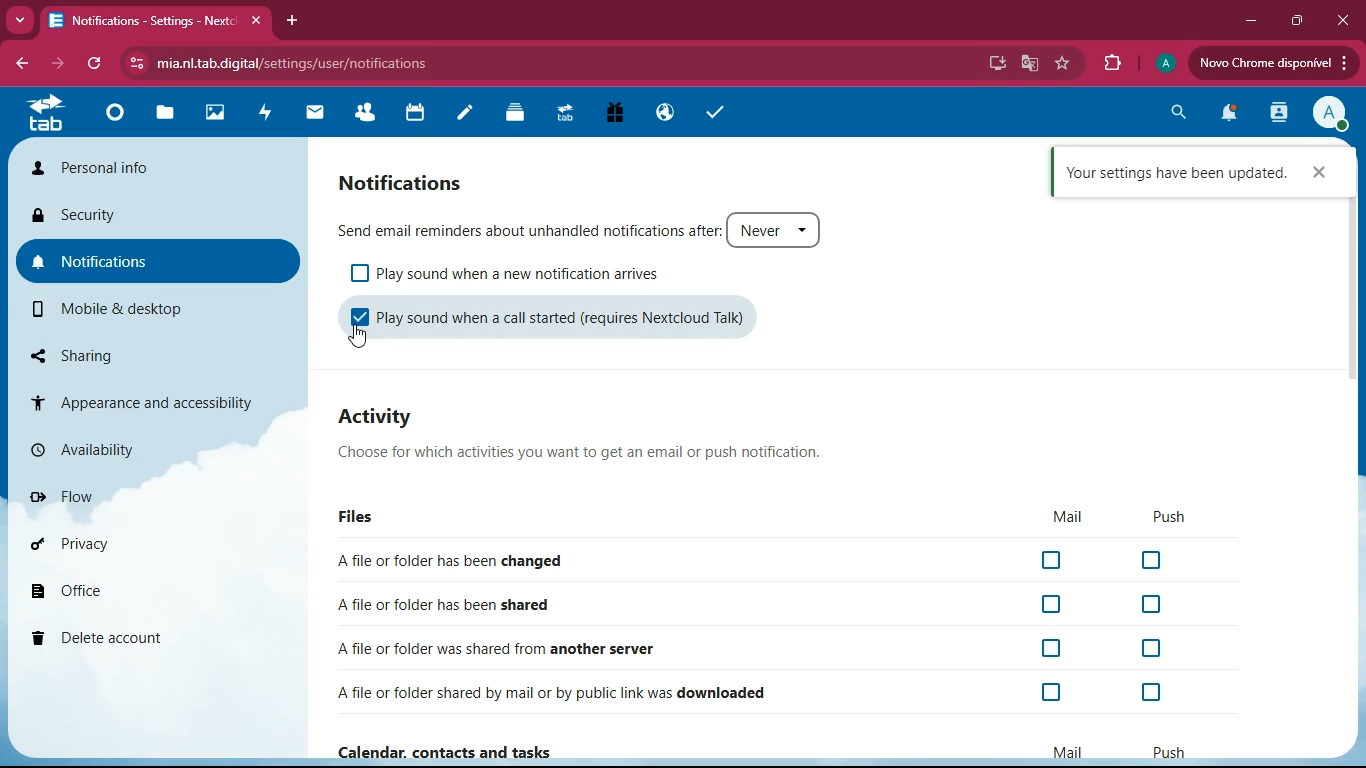  What do you see at coordinates (568, 117) in the screenshot?
I see `tab` at bounding box center [568, 117].